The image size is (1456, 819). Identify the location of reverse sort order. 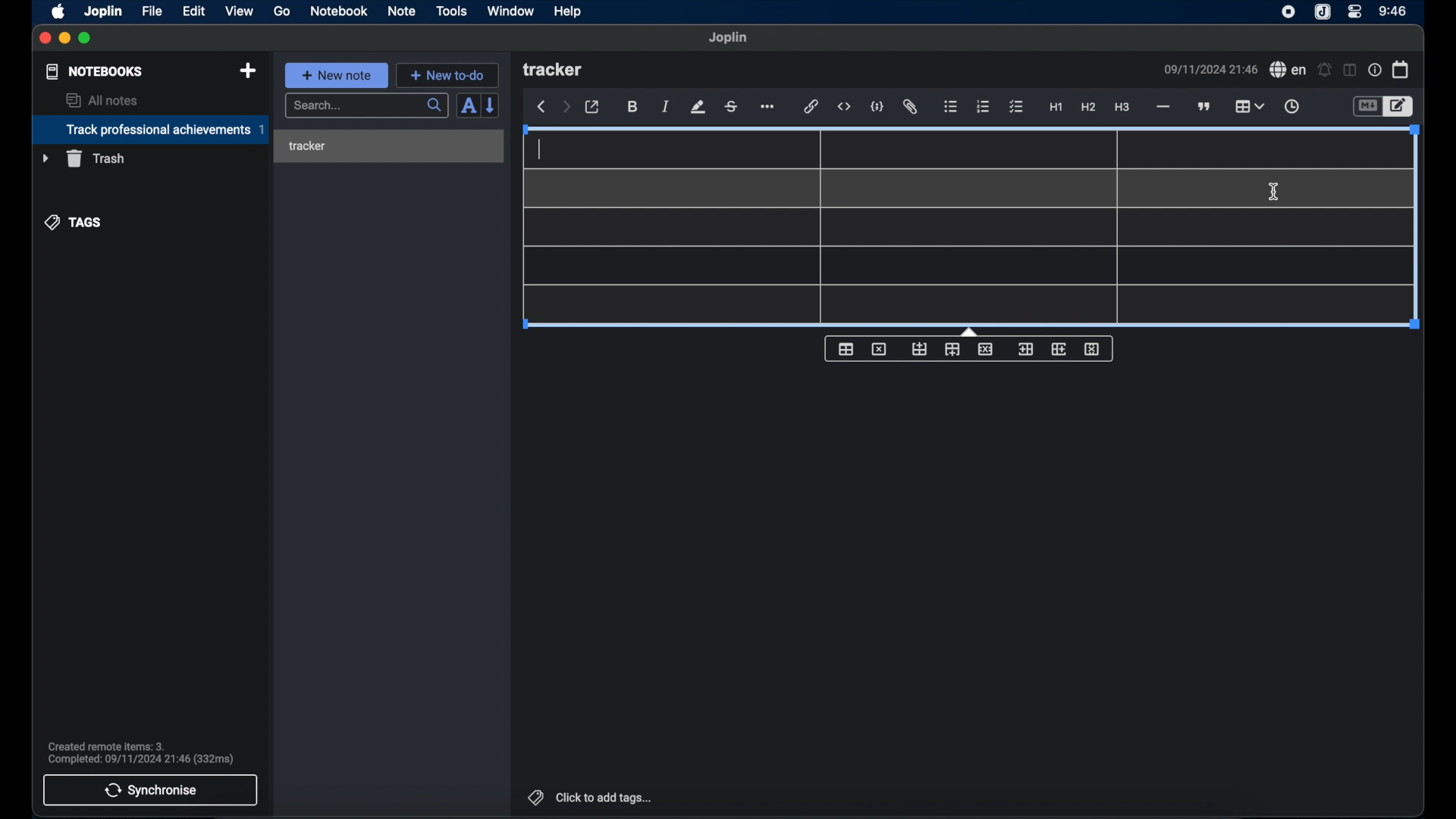
(492, 105).